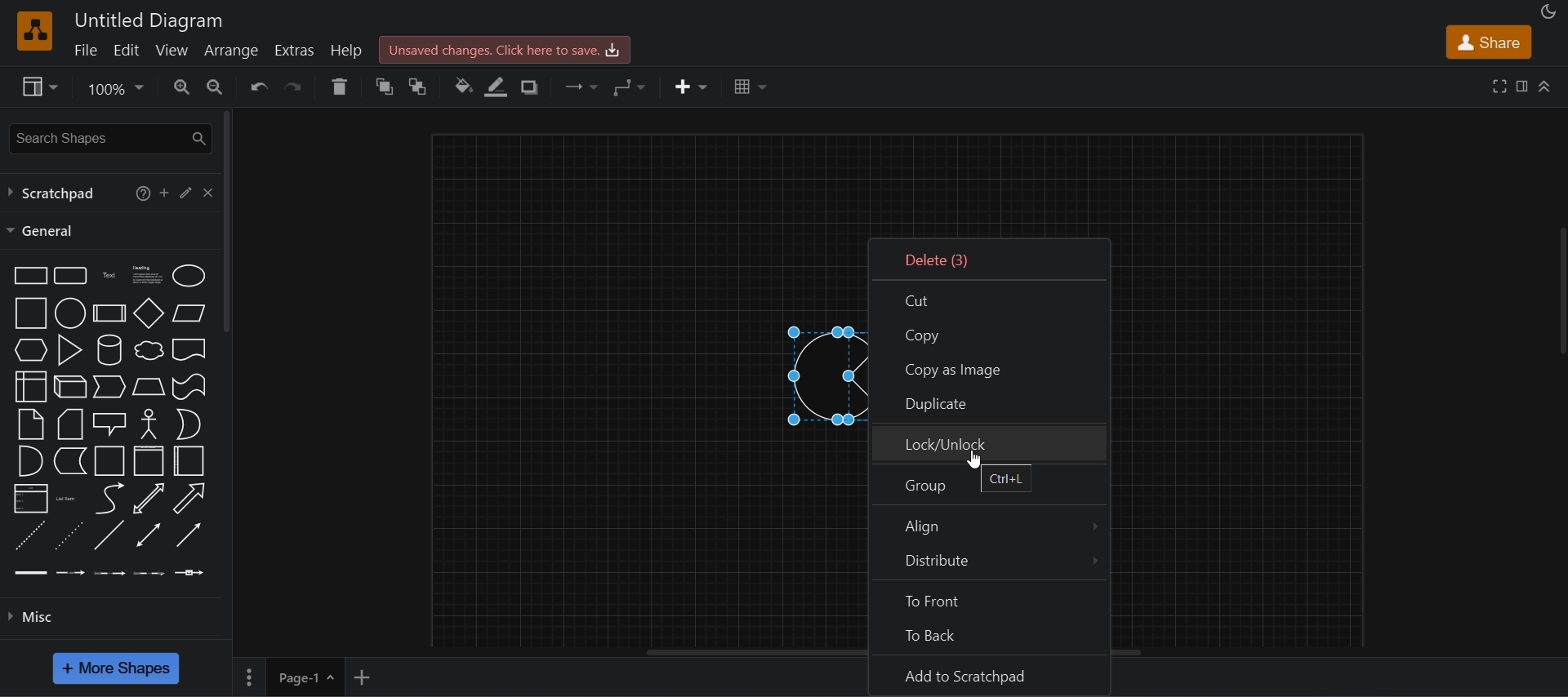 The width and height of the screenshot is (1568, 697). I want to click on lock/unlock, so click(987, 444).